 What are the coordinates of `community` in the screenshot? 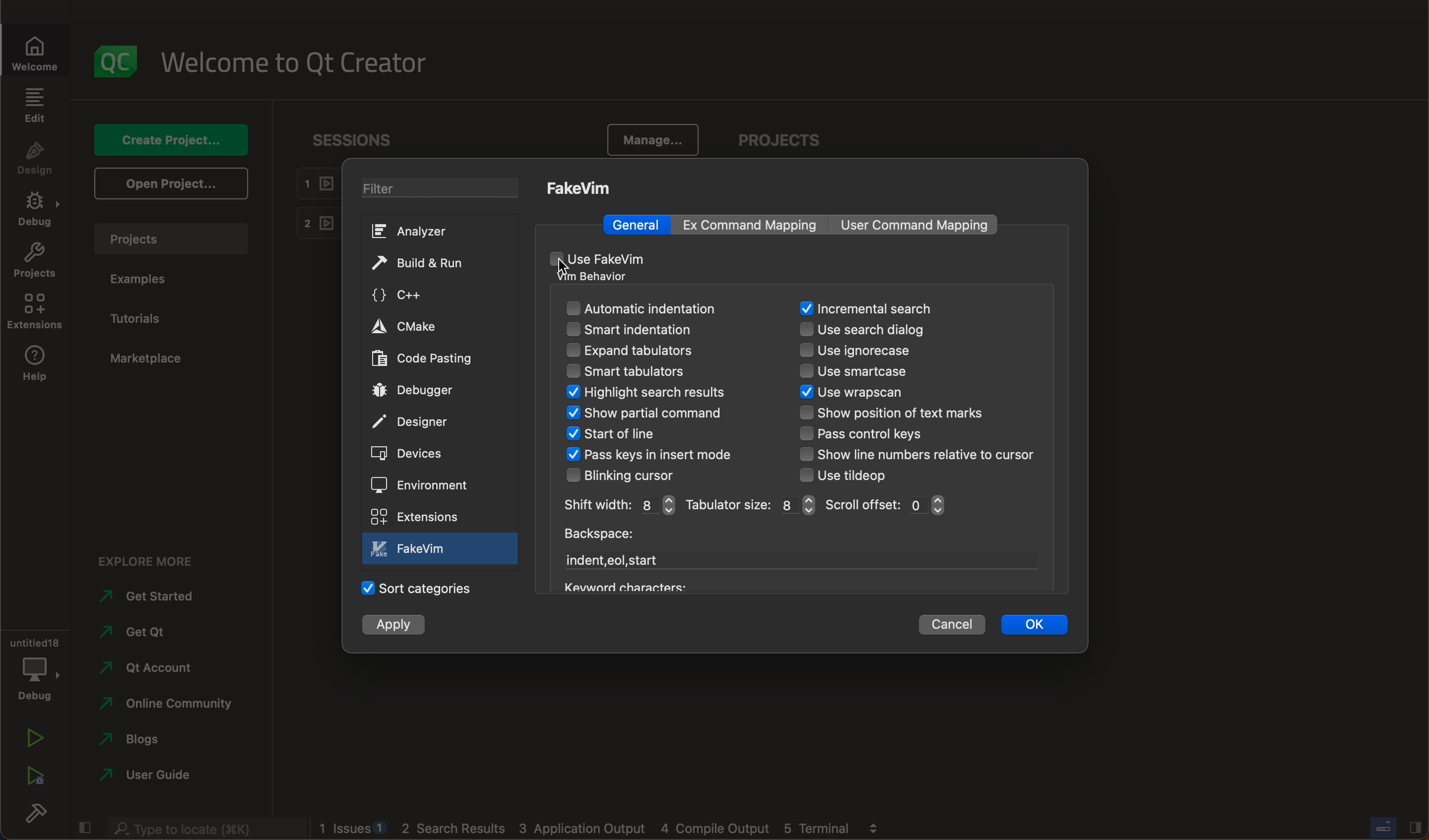 It's located at (168, 705).